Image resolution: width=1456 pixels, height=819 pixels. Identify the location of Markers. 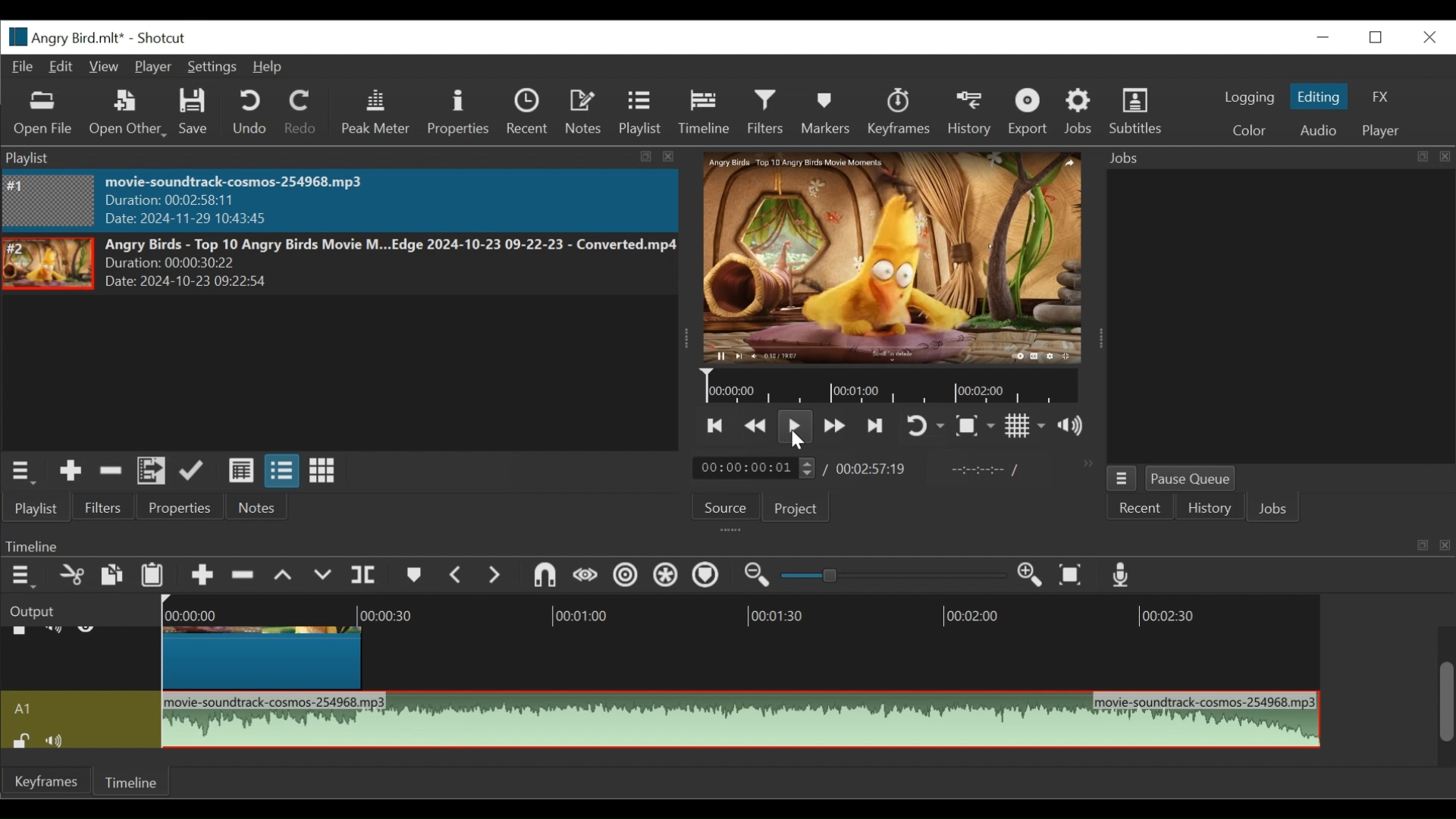
(412, 576).